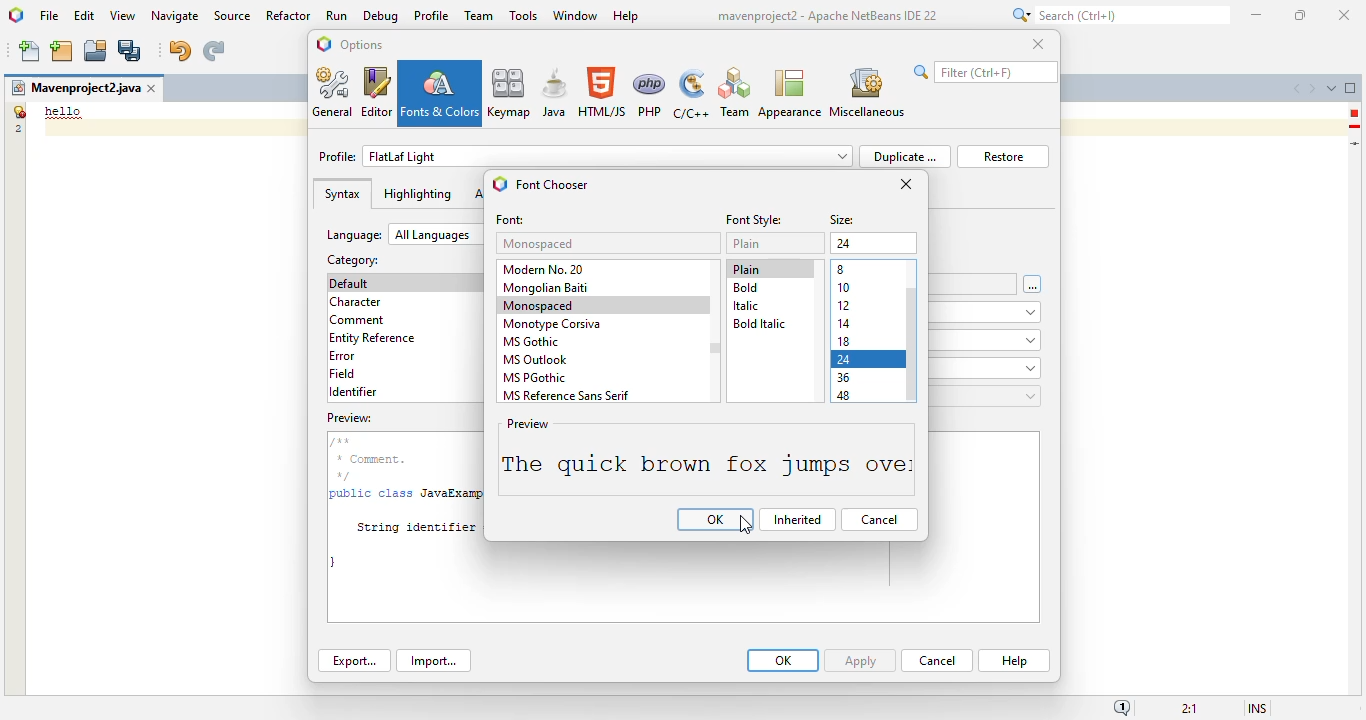 This screenshot has height=720, width=1366. I want to click on bold, so click(746, 288).